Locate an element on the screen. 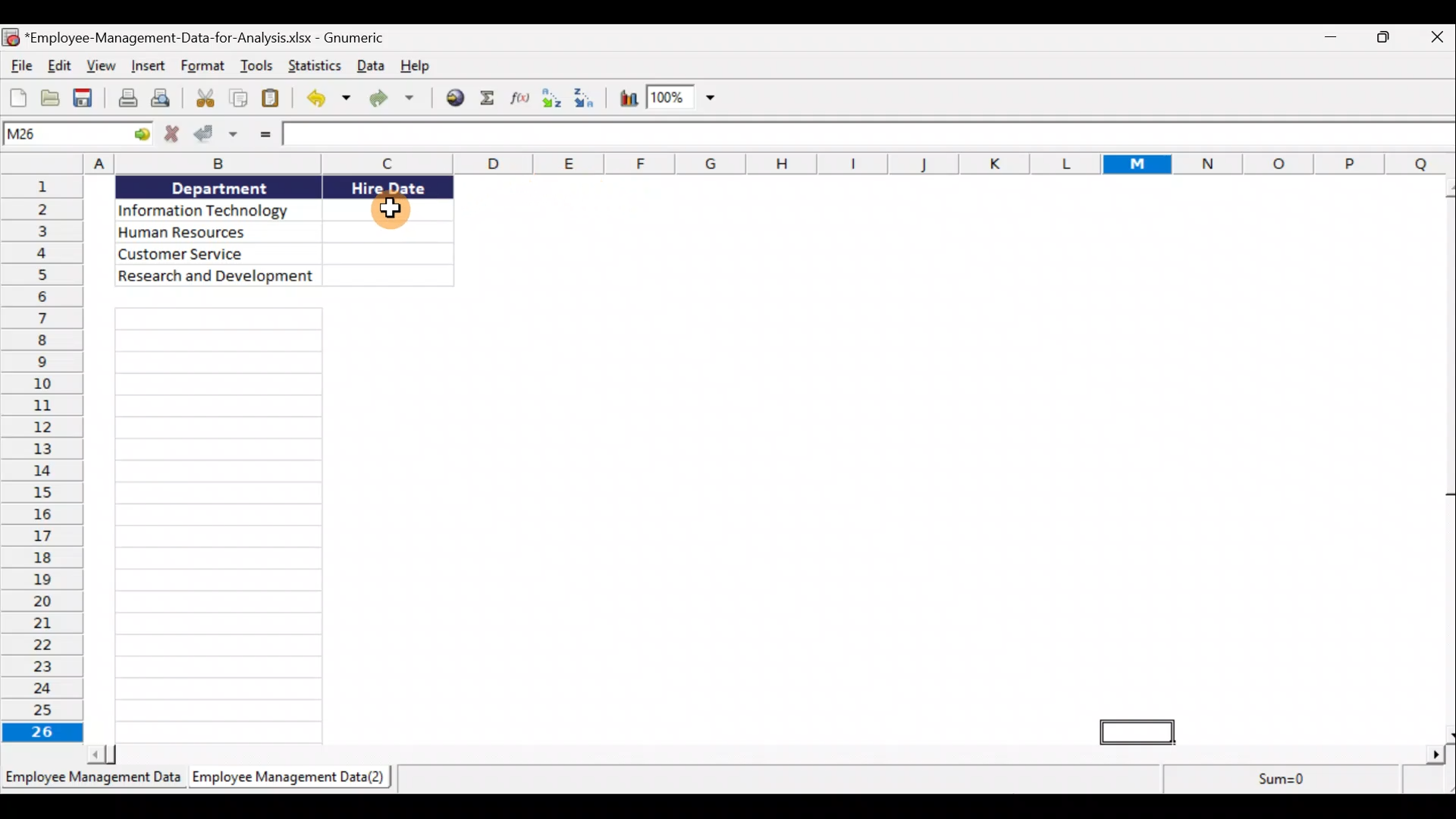 The image size is (1456, 819). Redo undone action is located at coordinates (398, 102).